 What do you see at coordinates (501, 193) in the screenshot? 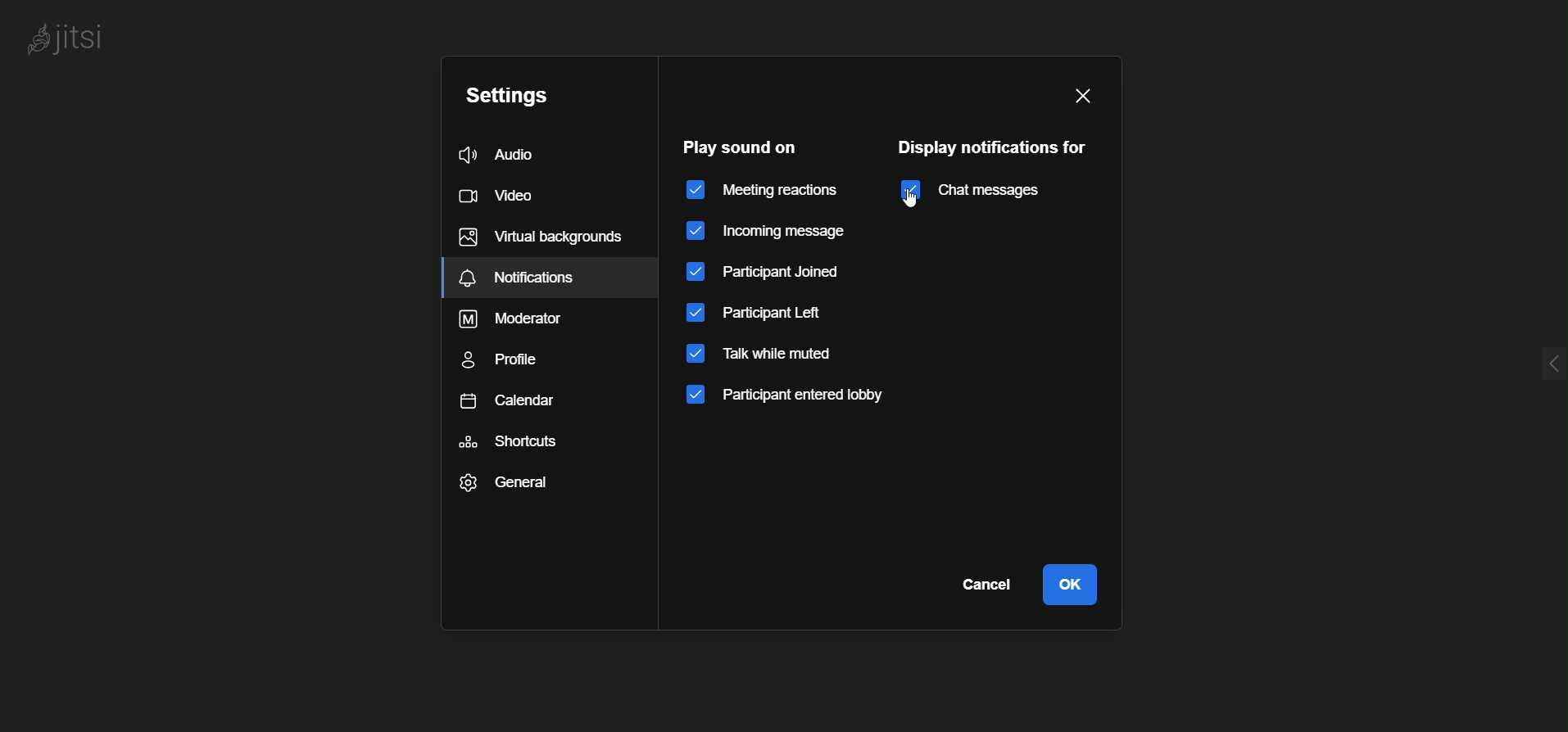
I see `video` at bounding box center [501, 193].